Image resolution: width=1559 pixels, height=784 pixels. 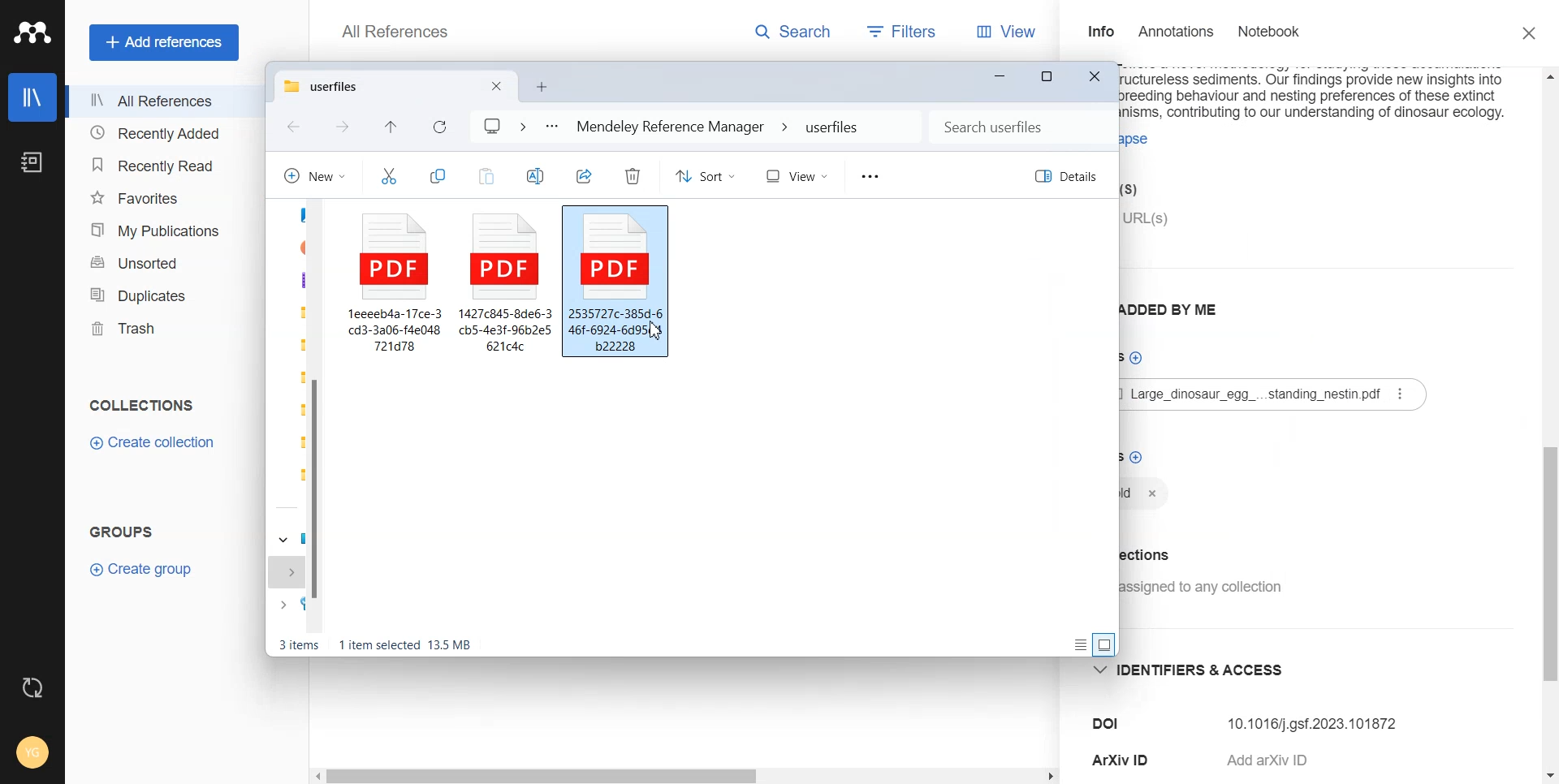 I want to click on Search bar, so click(x=1019, y=126).